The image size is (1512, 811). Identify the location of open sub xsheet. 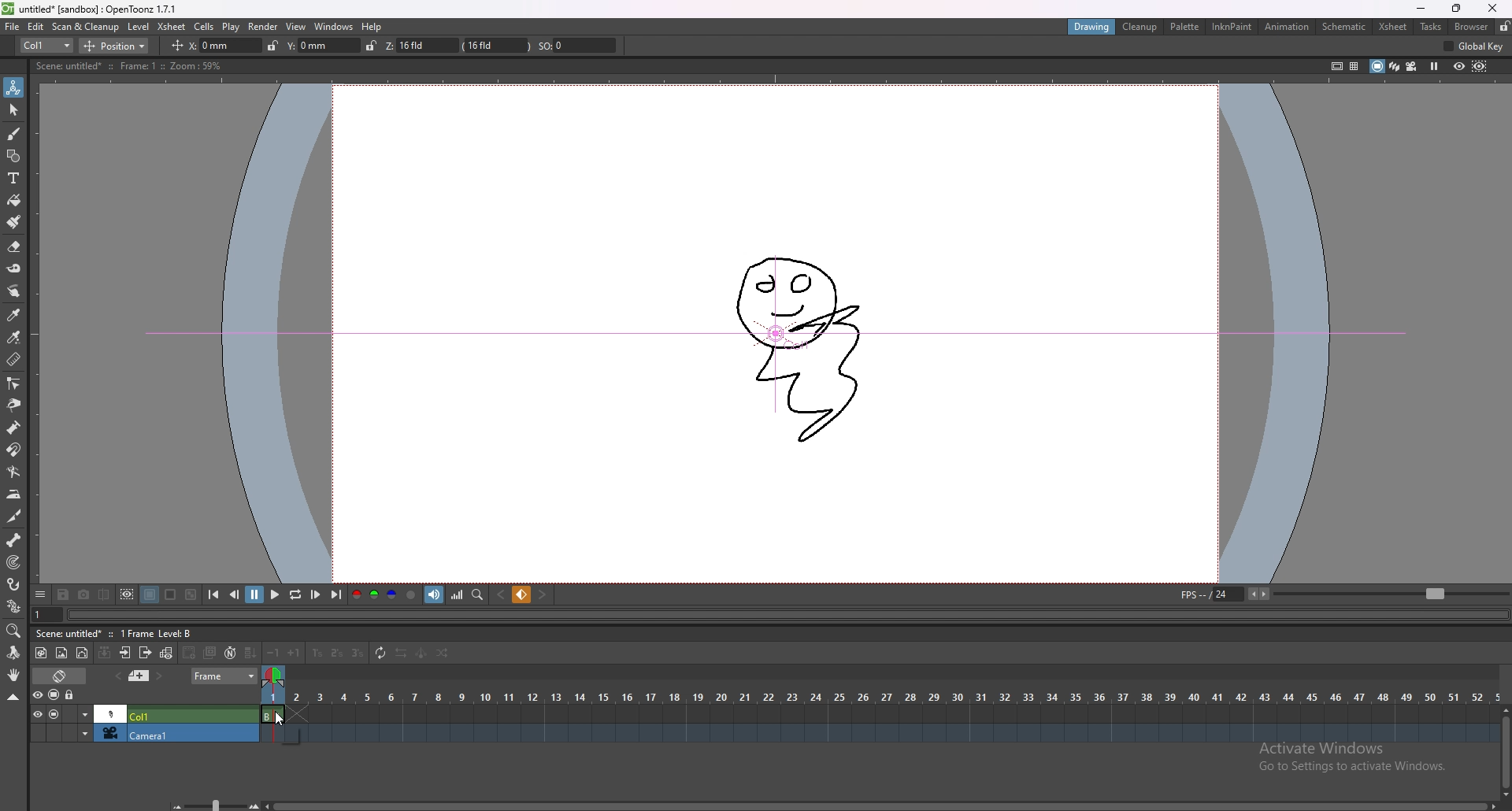
(125, 653).